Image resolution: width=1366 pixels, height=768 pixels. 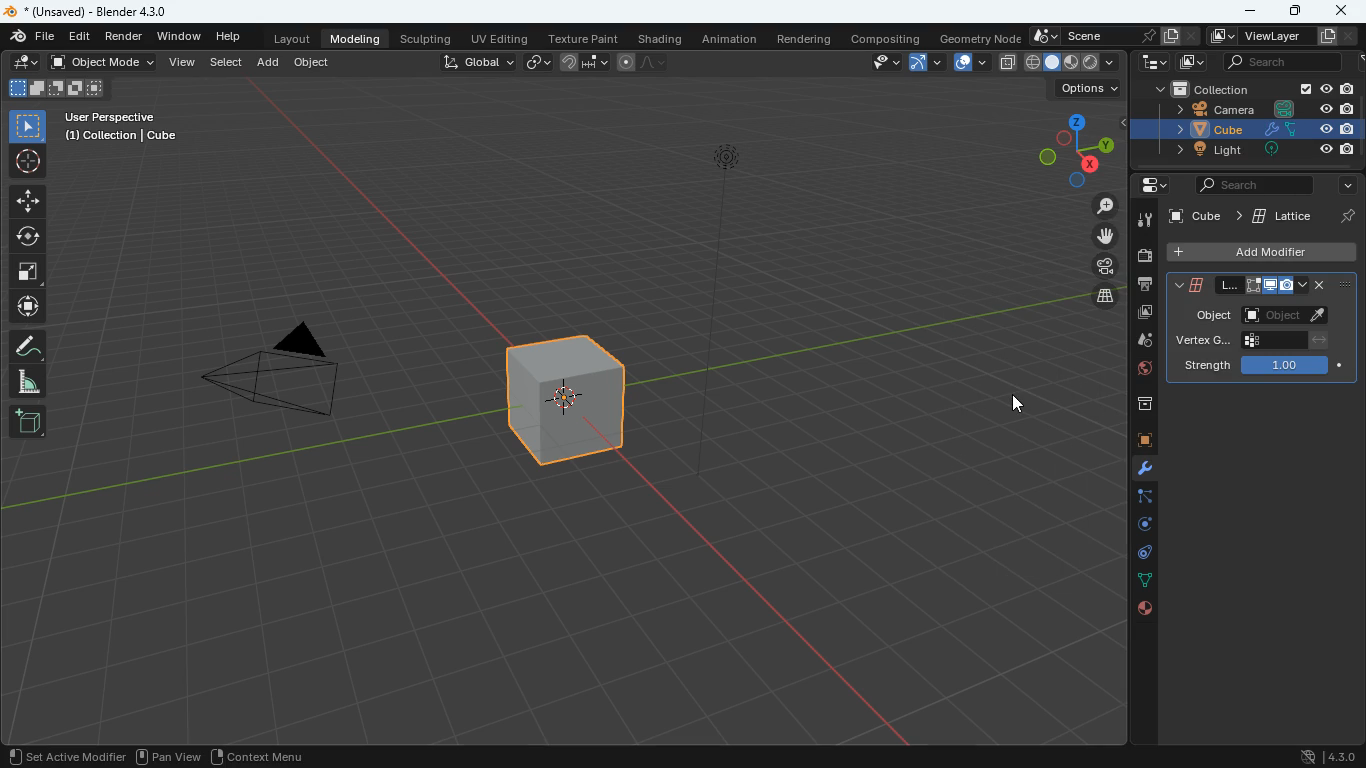 I want to click on rotate, so click(x=28, y=236).